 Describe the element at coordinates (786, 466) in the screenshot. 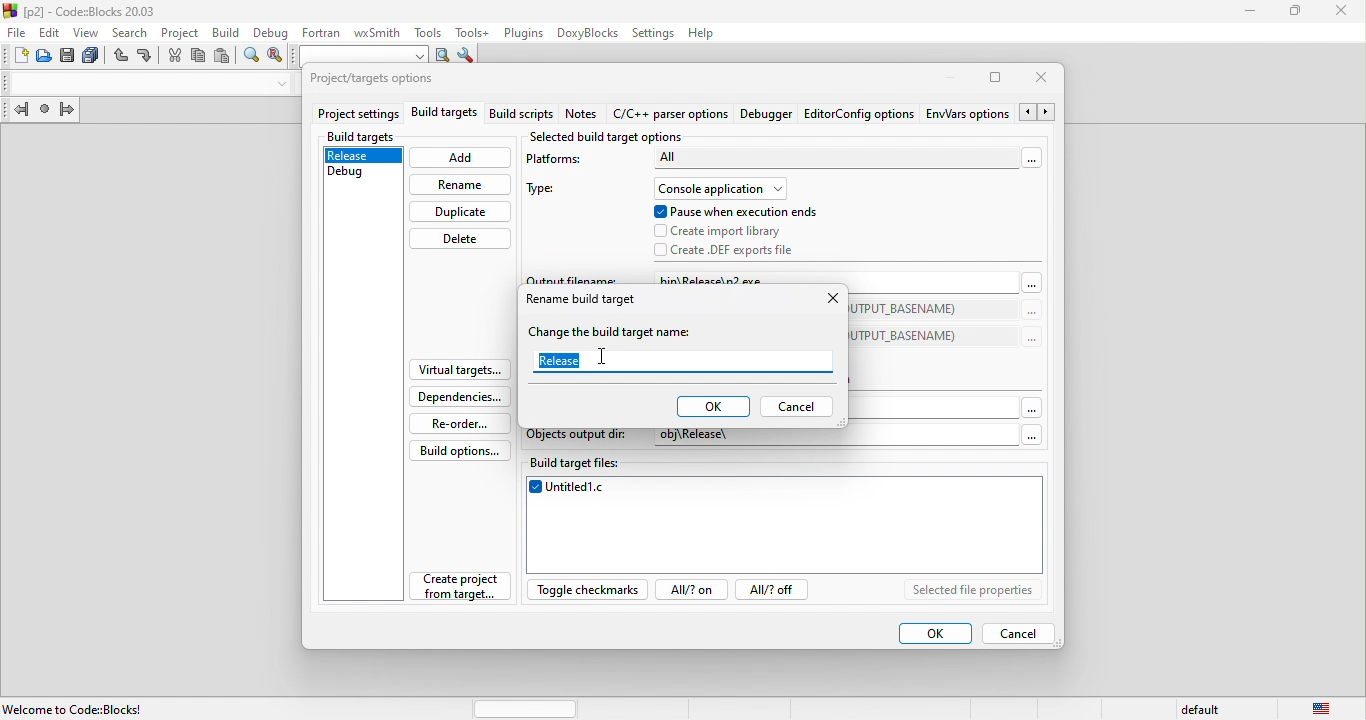

I see `build target files` at that location.